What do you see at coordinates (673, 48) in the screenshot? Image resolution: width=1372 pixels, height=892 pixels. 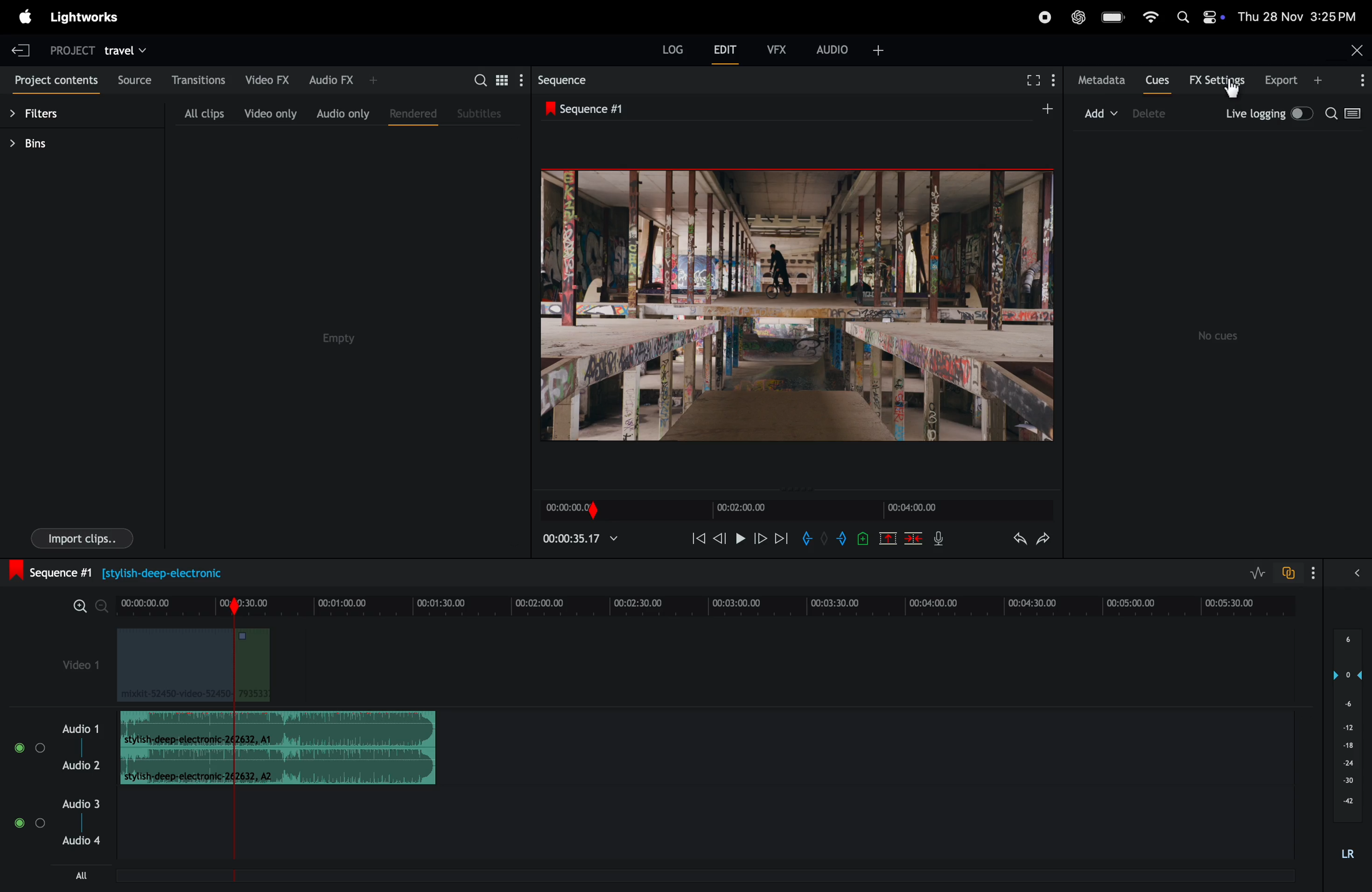 I see `log` at bounding box center [673, 48].